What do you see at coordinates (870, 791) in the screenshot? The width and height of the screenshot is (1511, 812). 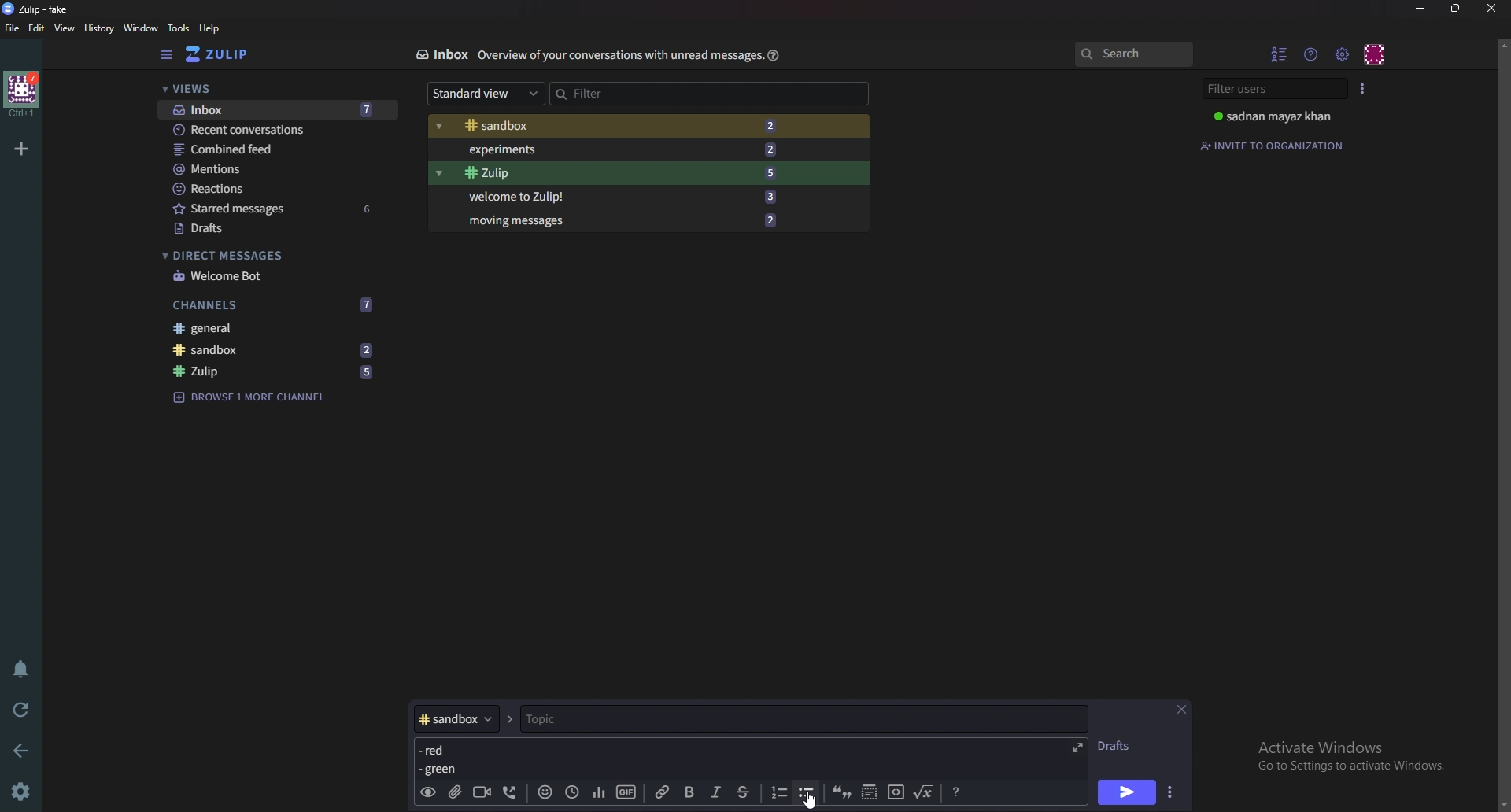 I see `Spoiler` at bounding box center [870, 791].